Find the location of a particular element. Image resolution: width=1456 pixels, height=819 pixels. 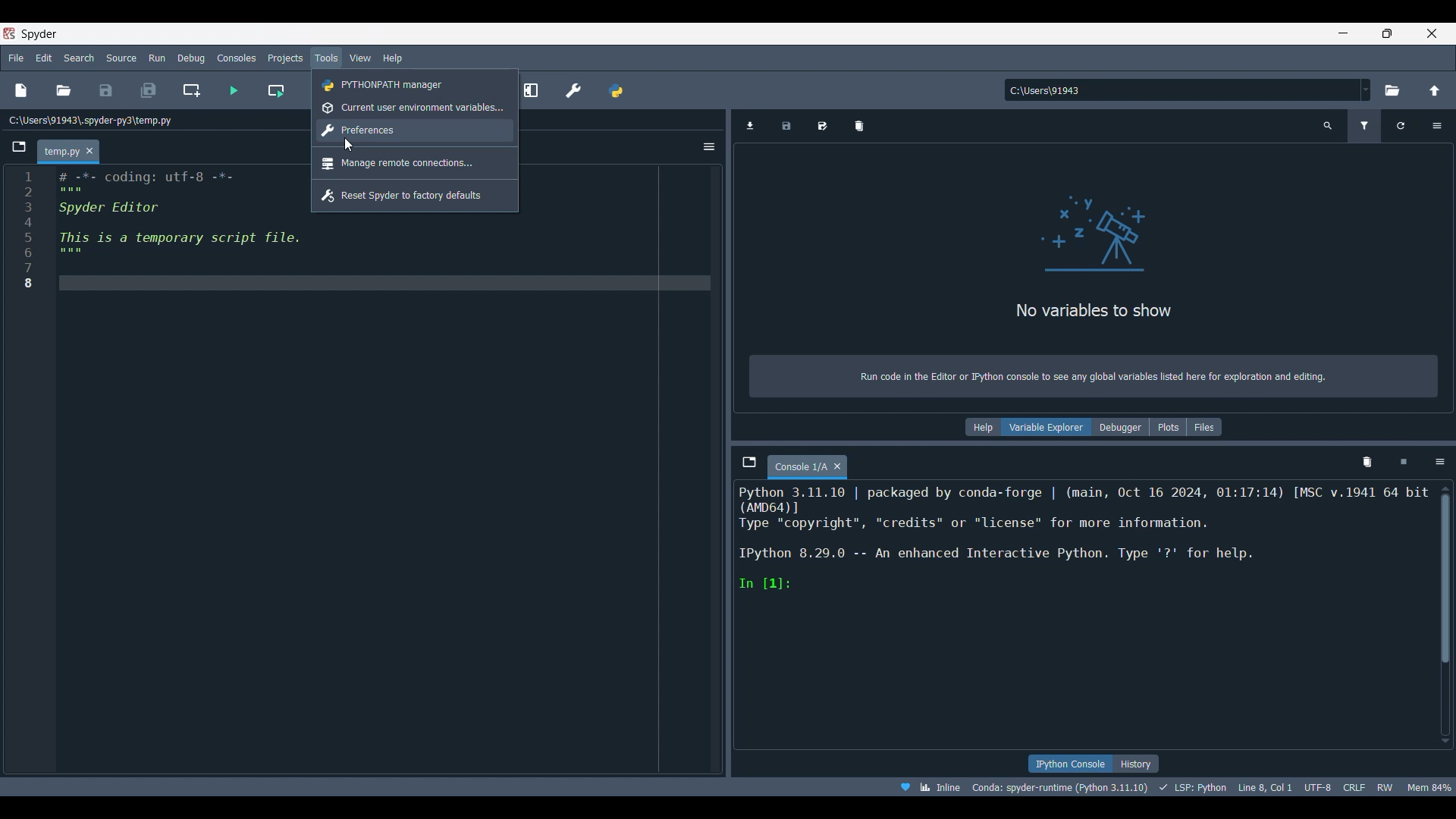

Edit menu is located at coordinates (43, 58).